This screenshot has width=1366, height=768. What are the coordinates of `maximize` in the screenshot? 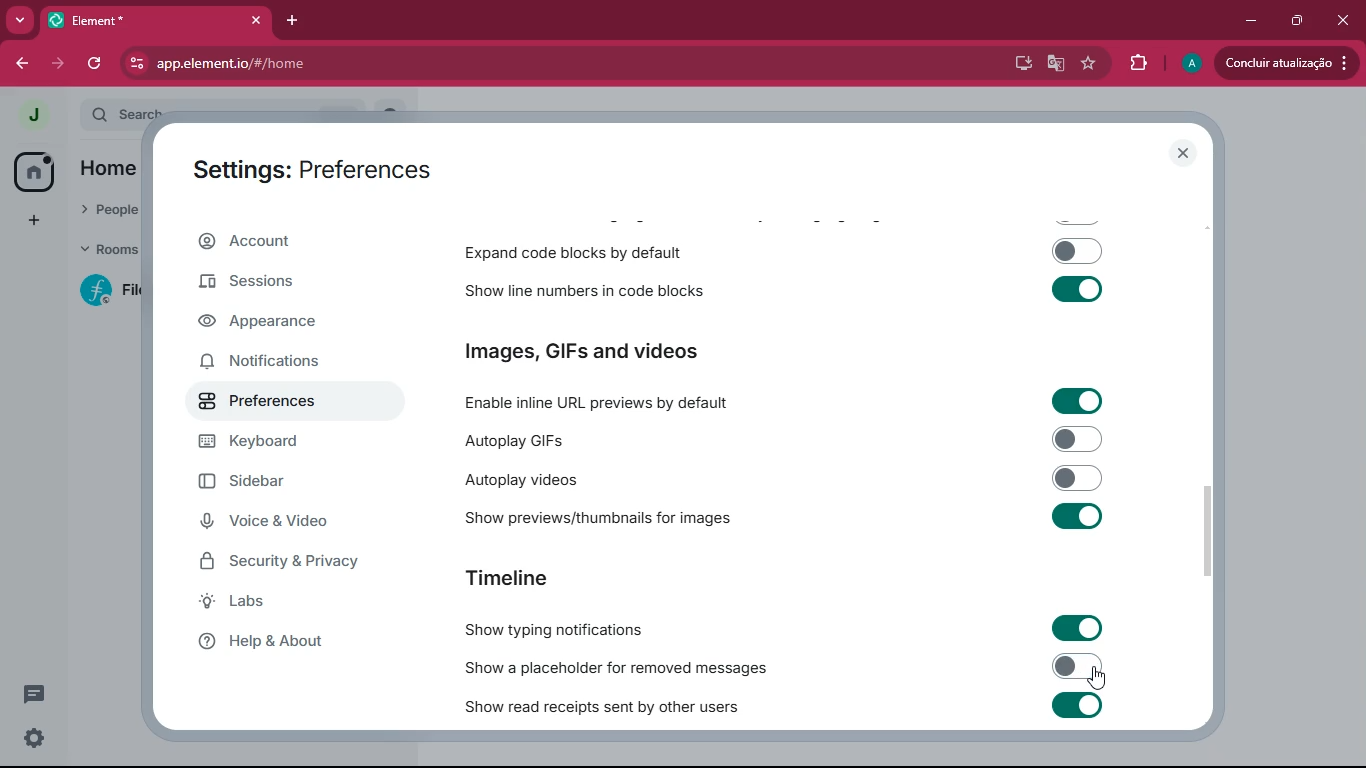 It's located at (1299, 19).